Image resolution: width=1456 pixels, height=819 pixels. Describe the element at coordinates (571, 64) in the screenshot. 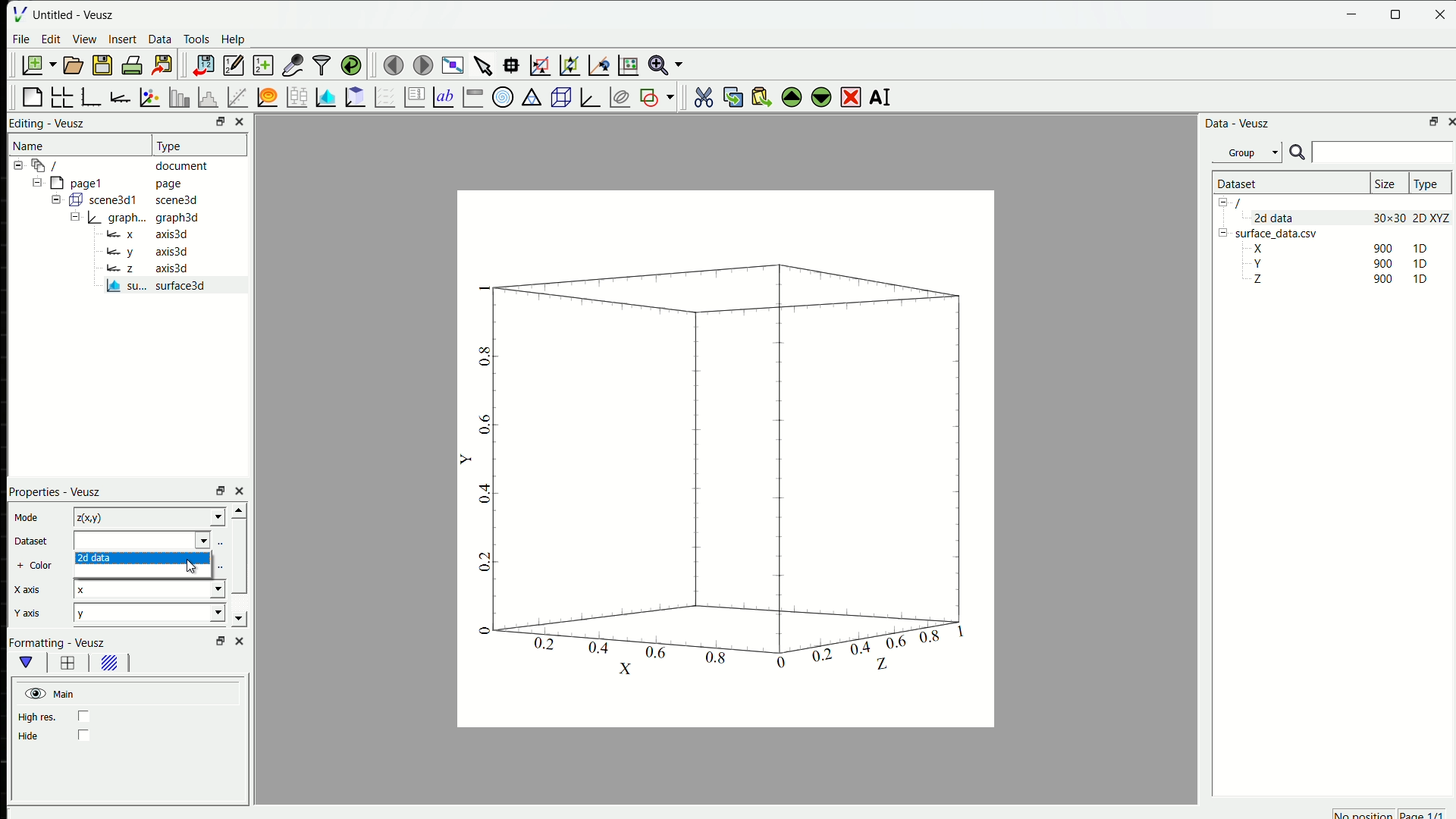

I see `click to zoom out of a graph axes` at that location.